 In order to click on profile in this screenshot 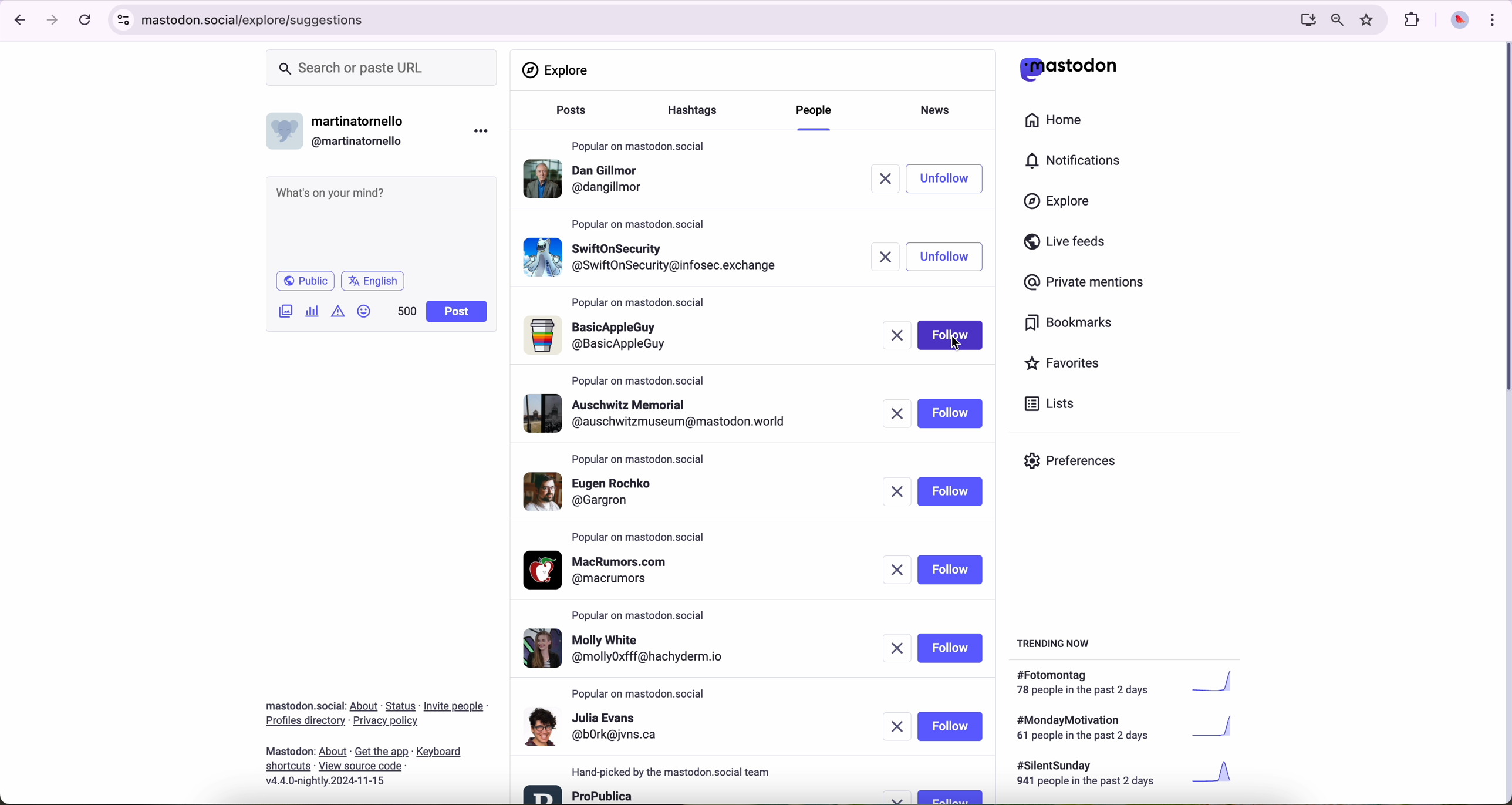, I will do `click(654, 254)`.